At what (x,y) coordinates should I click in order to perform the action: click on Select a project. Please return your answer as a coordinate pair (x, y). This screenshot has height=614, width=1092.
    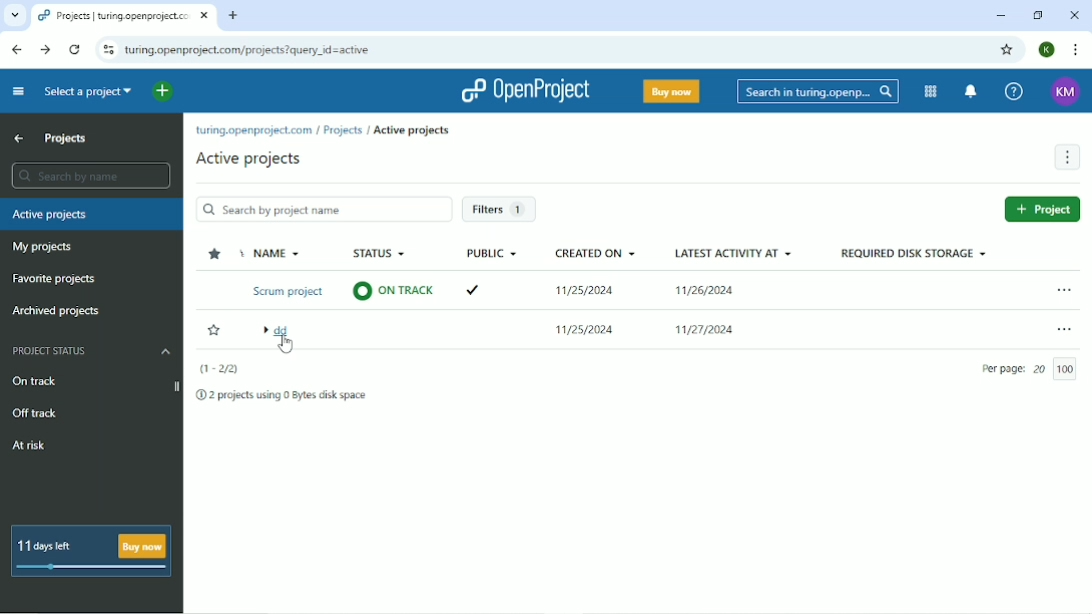
    Looking at the image, I should click on (88, 93).